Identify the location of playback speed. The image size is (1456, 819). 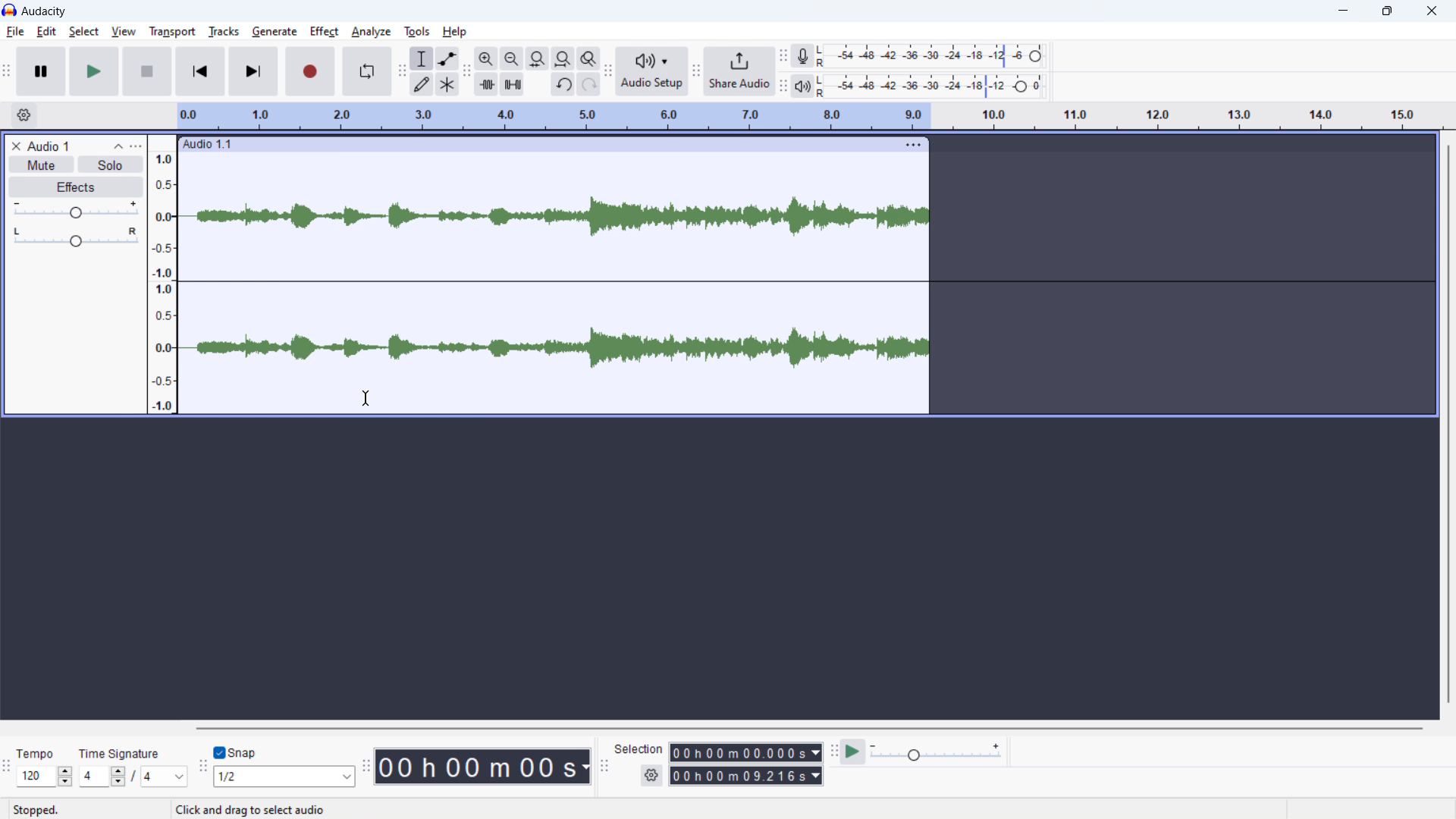
(937, 752).